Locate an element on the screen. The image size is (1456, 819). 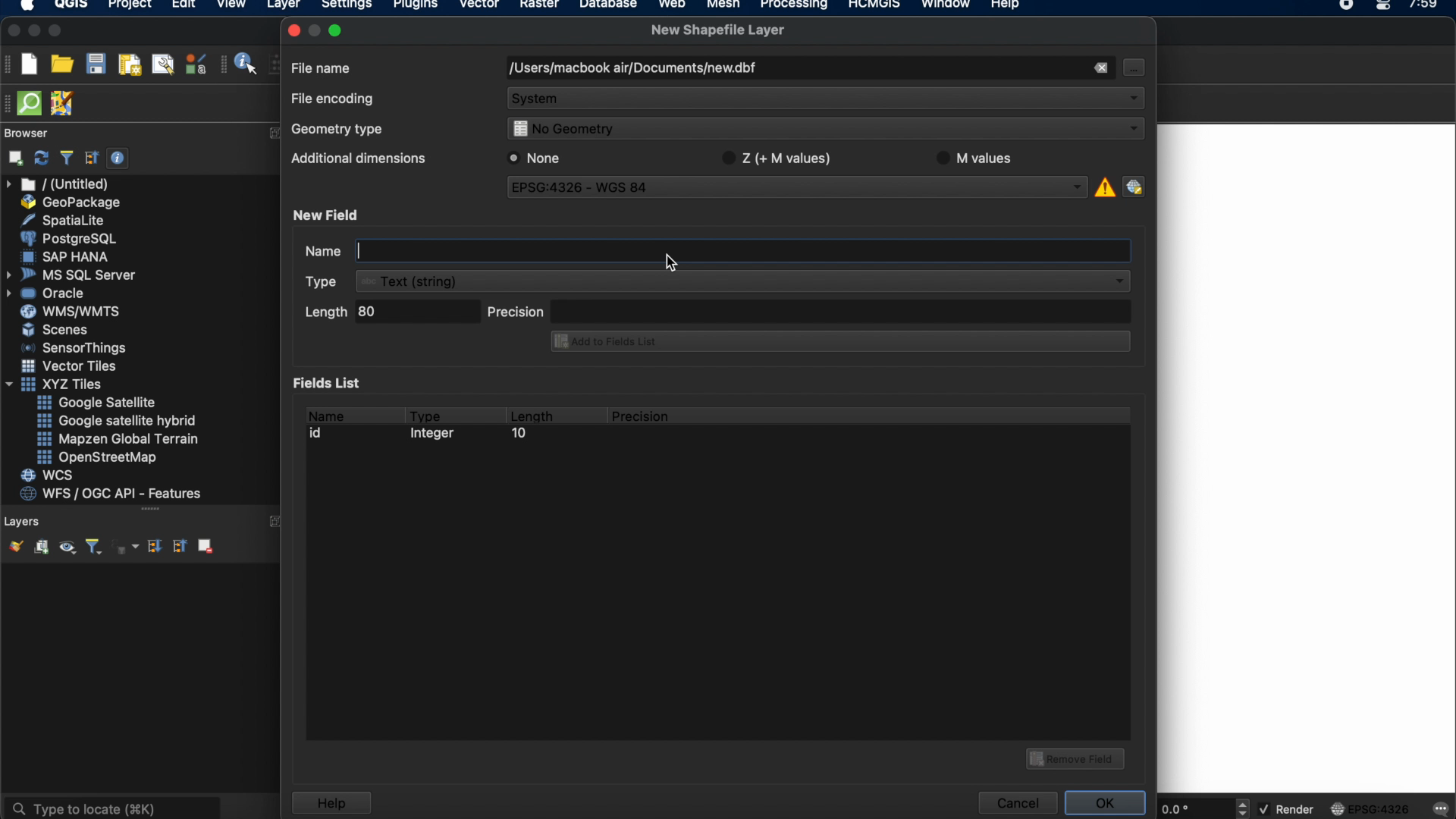
fields list is located at coordinates (331, 382).